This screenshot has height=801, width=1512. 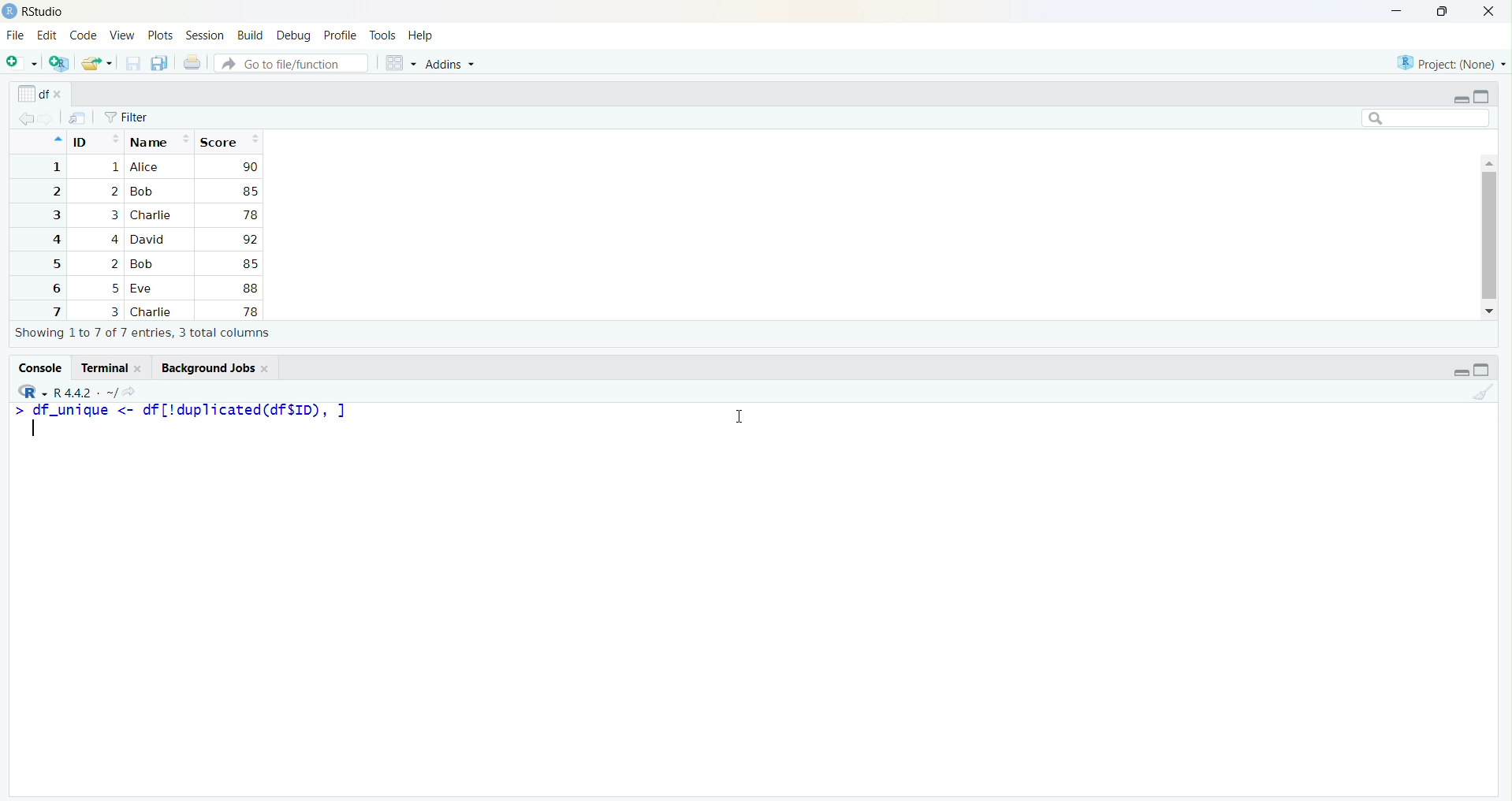 I want to click on Alice, so click(x=147, y=167).